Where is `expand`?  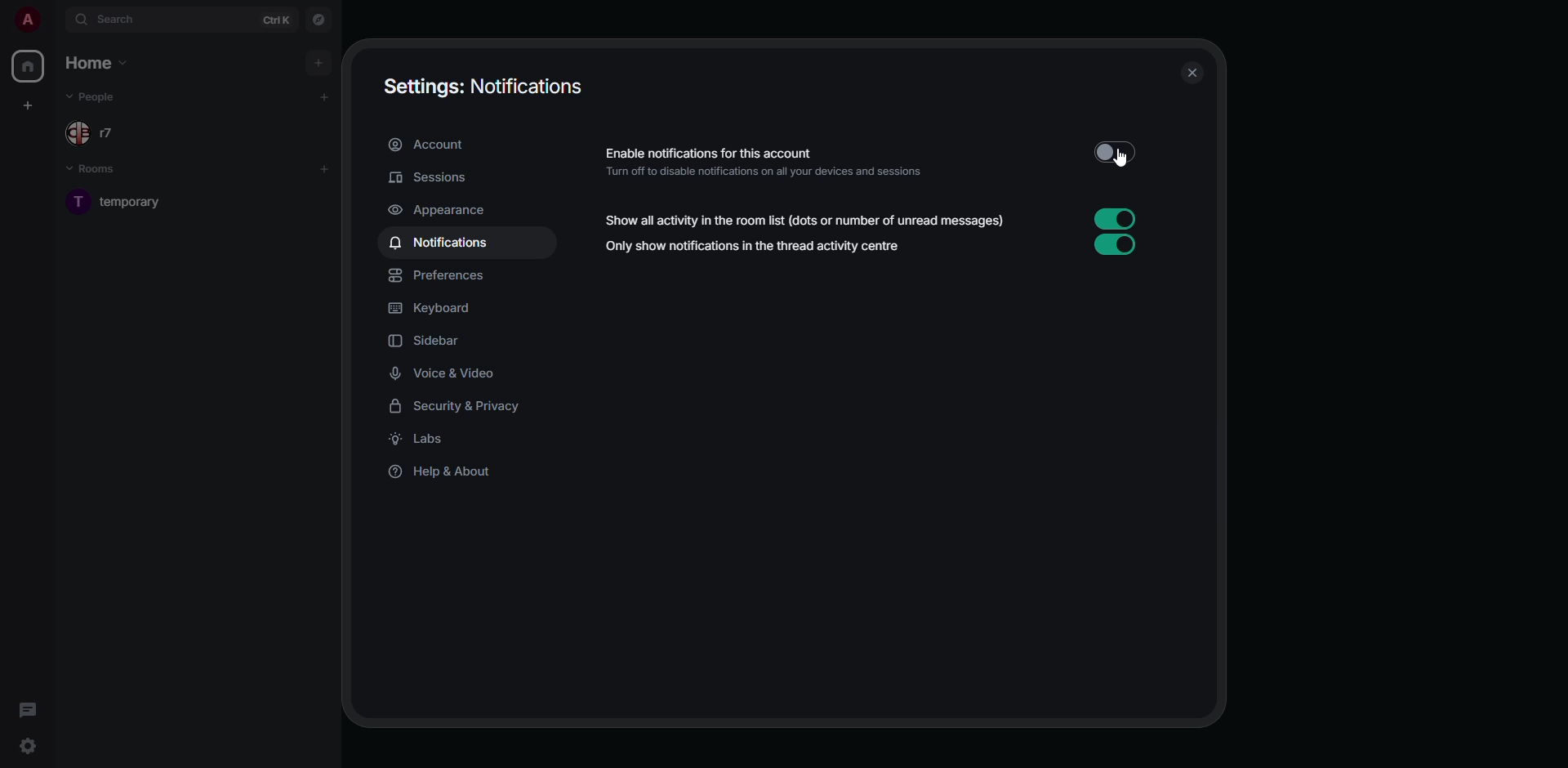 expand is located at coordinates (54, 20).